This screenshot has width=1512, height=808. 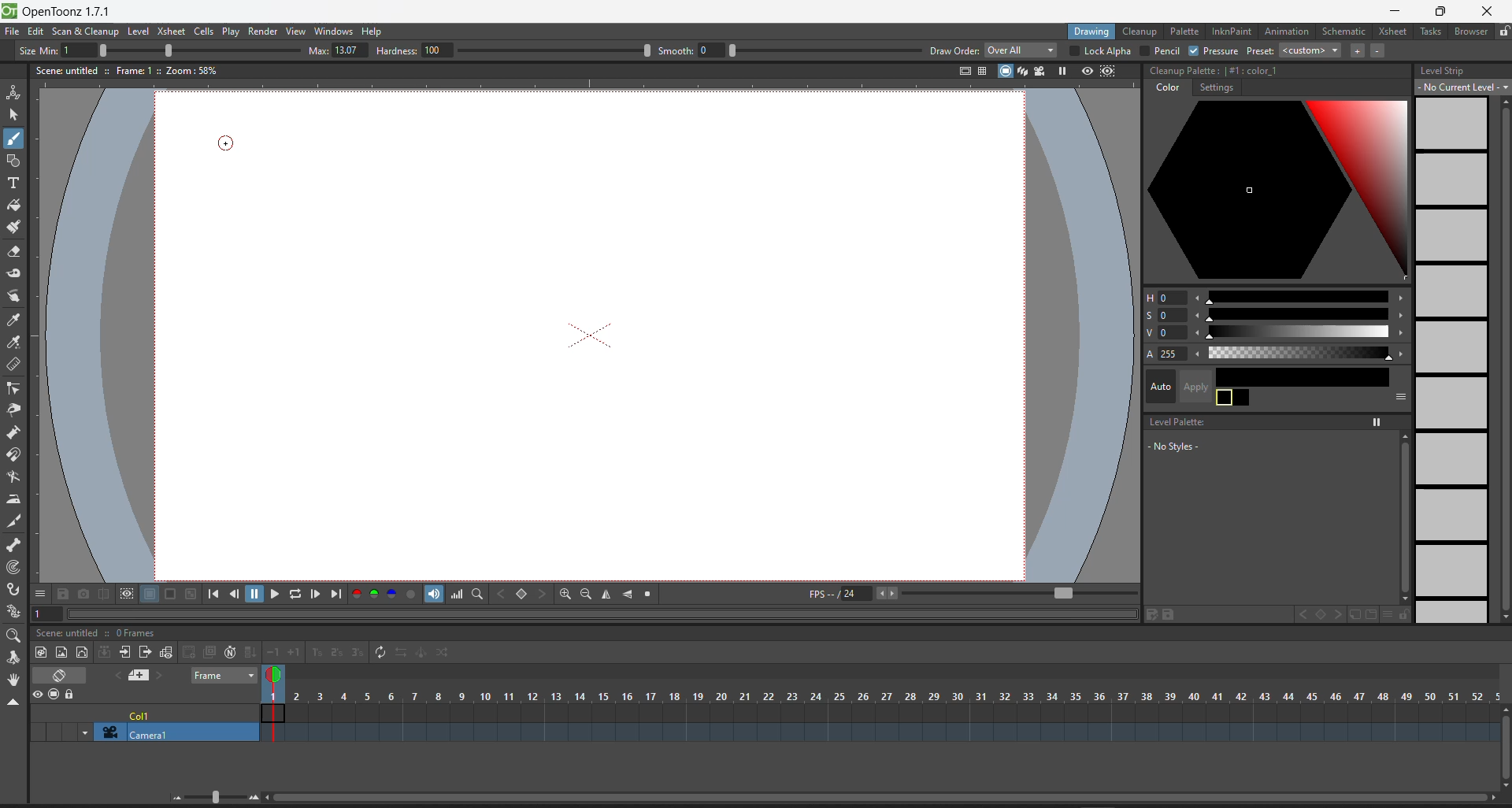 What do you see at coordinates (149, 594) in the screenshot?
I see `white background` at bounding box center [149, 594].